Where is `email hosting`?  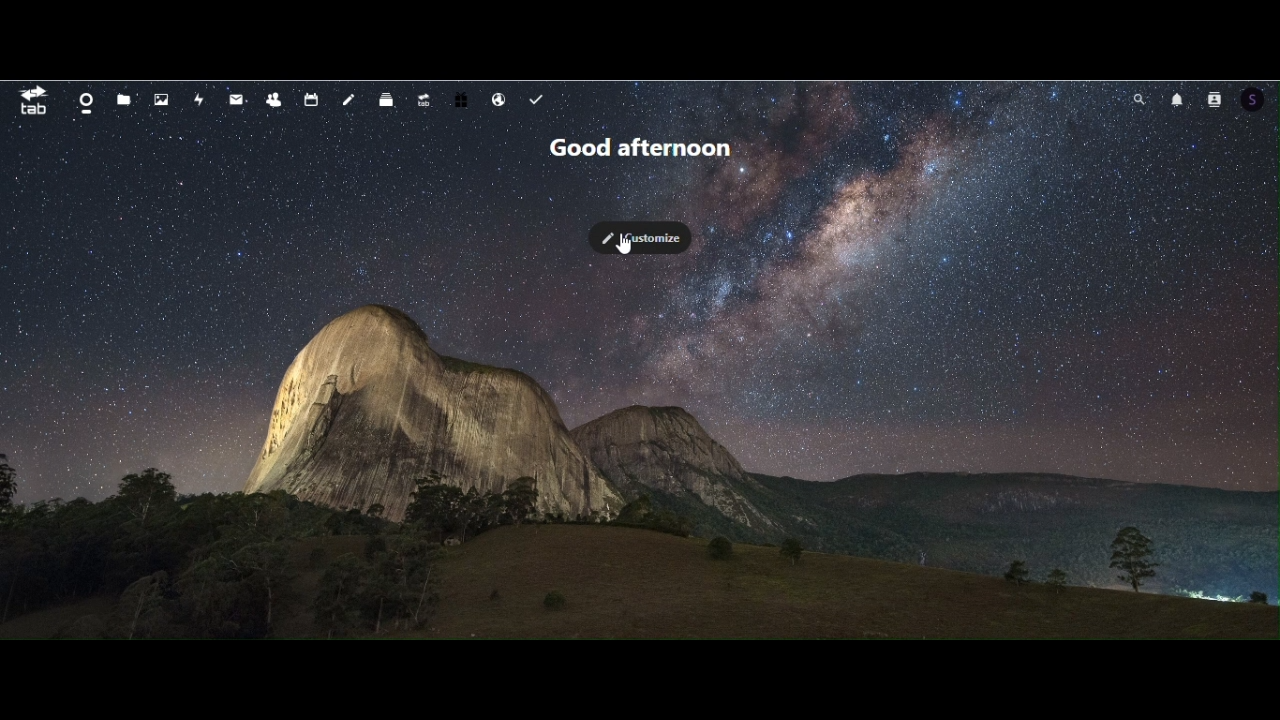
email hosting is located at coordinates (498, 98).